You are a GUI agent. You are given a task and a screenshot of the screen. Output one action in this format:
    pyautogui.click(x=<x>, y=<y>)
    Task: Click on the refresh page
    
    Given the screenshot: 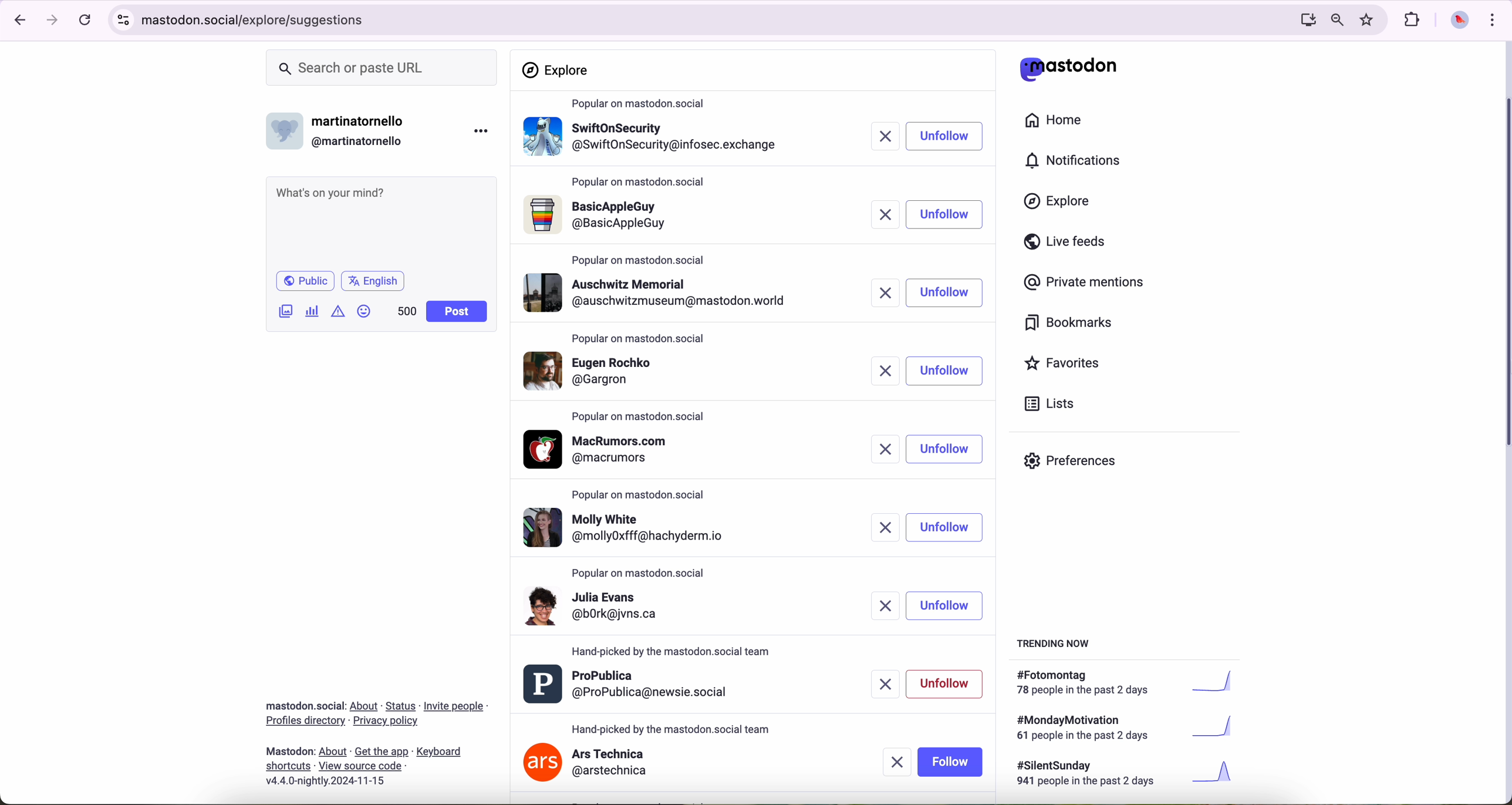 What is the action you would take?
    pyautogui.click(x=86, y=21)
    